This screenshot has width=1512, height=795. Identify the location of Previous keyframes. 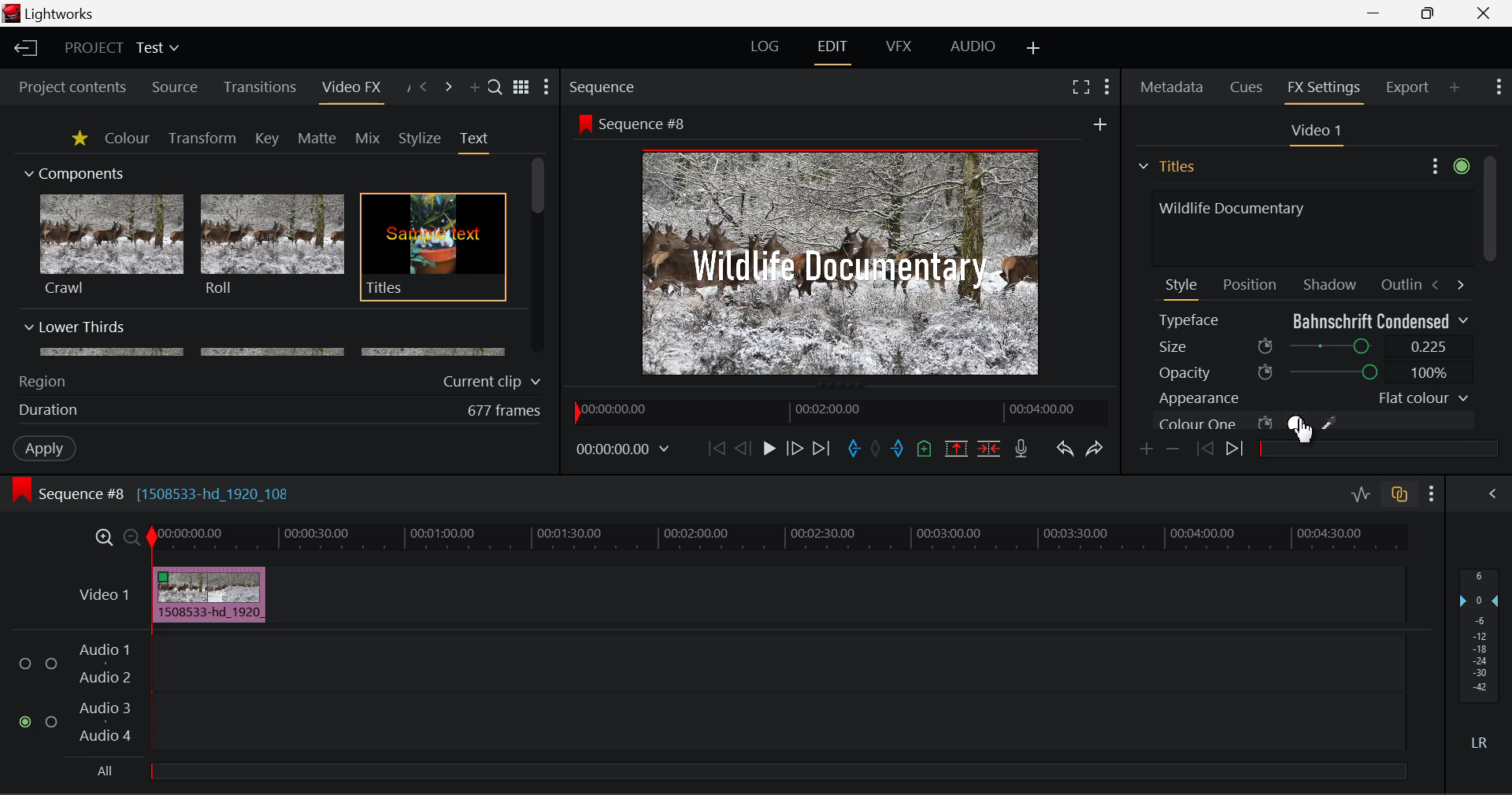
(1203, 449).